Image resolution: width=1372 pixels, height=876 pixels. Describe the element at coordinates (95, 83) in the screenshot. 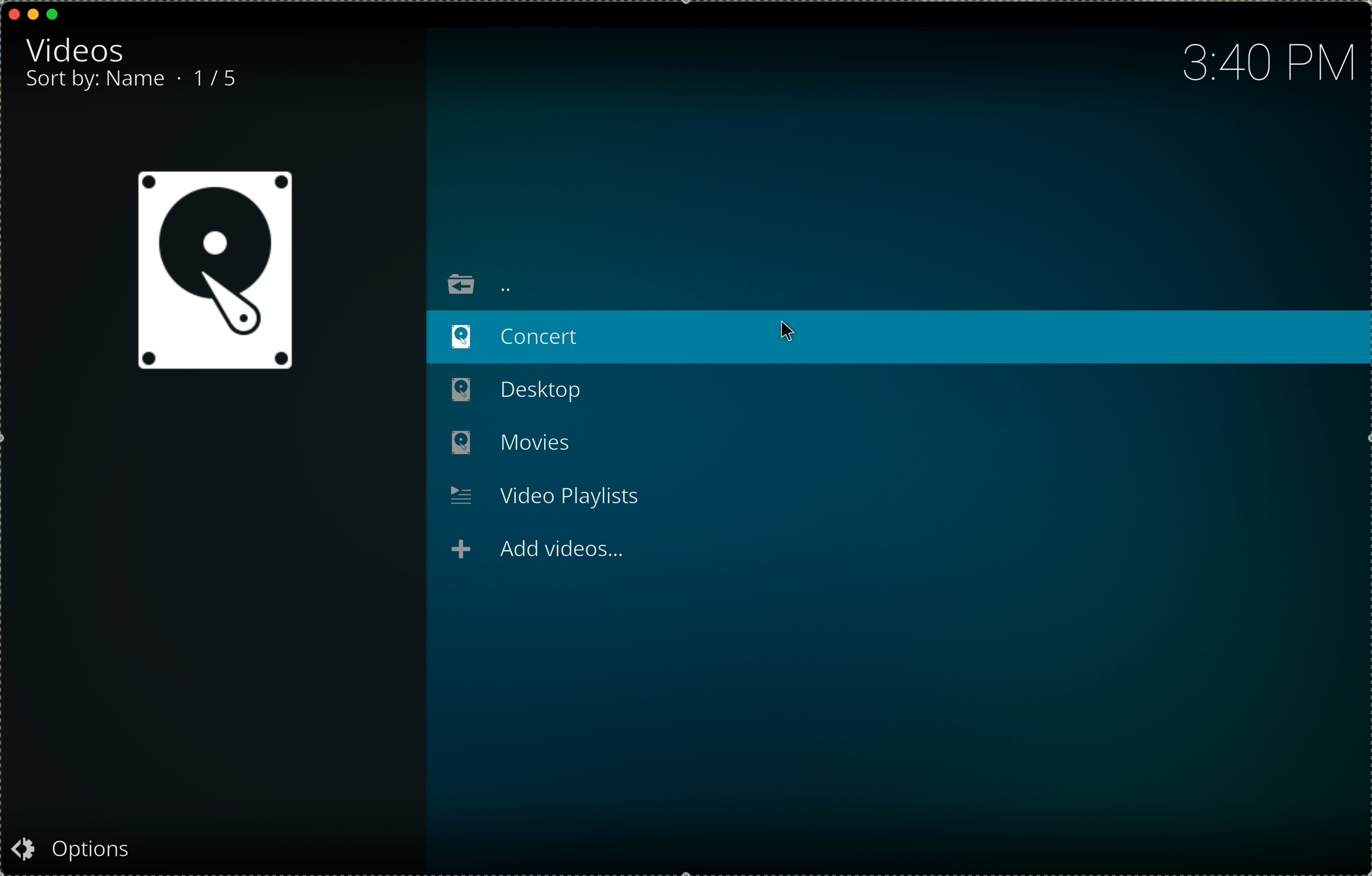

I see `sort by` at that location.